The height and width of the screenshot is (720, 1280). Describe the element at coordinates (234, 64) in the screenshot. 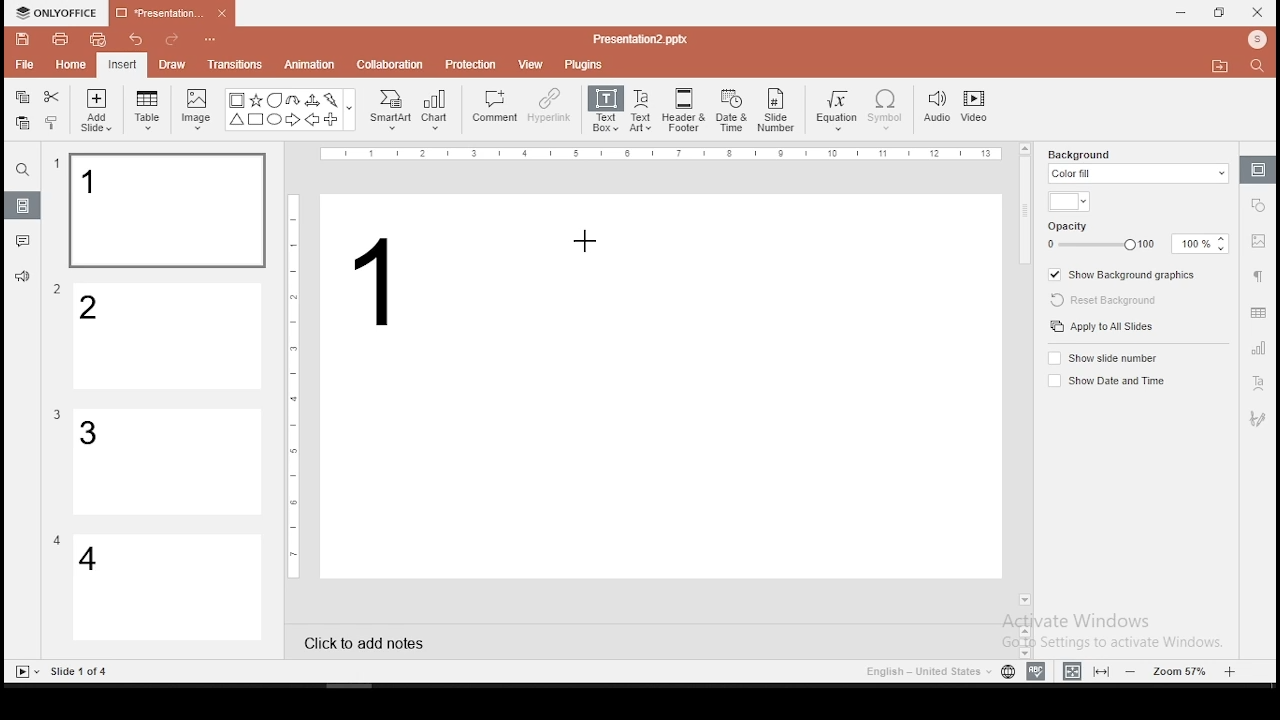

I see `transitions` at that location.